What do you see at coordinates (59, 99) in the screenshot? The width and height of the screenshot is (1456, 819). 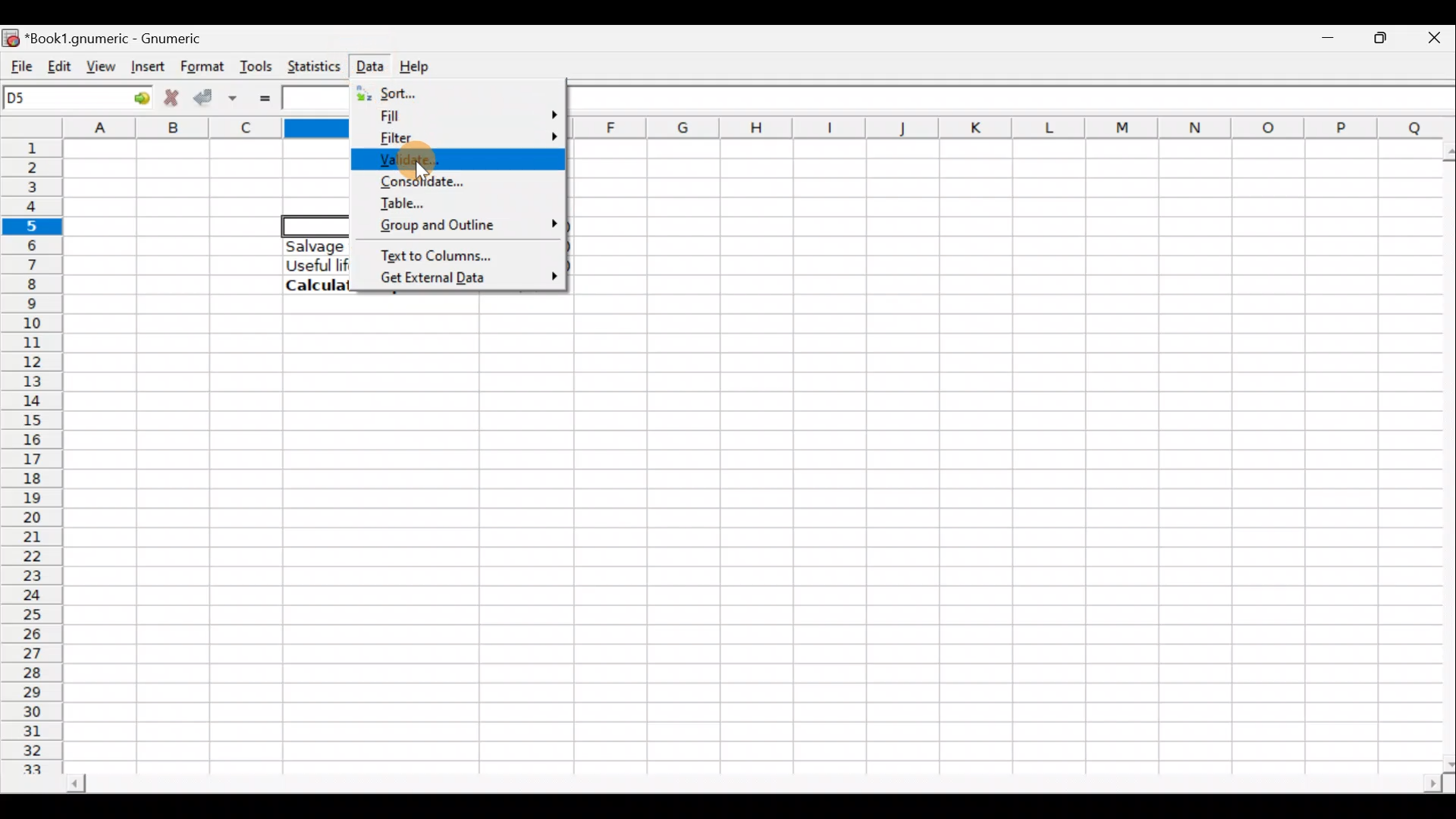 I see `Cell name D5` at bounding box center [59, 99].